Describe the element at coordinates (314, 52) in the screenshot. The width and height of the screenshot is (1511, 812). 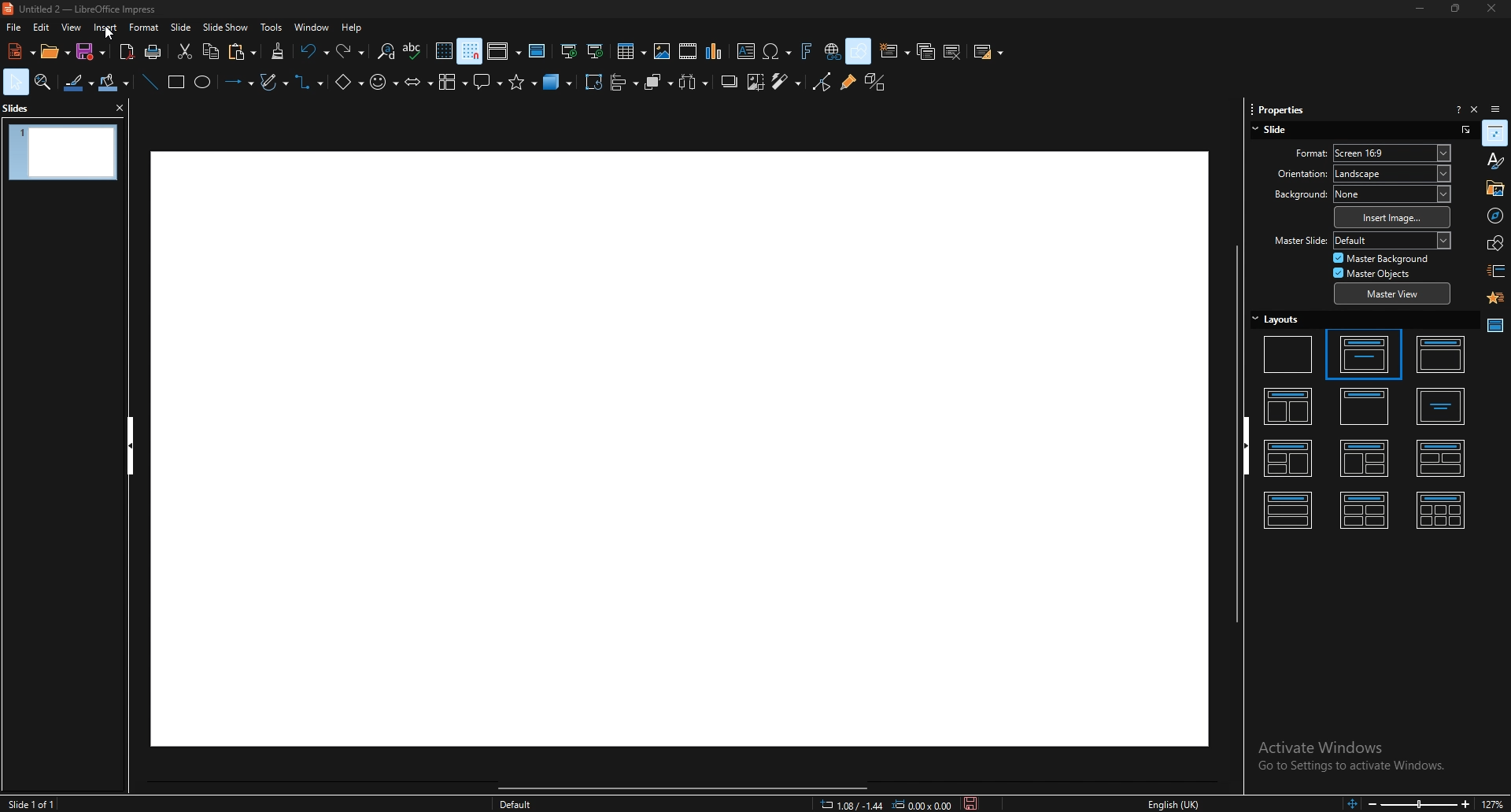
I see `undo` at that location.